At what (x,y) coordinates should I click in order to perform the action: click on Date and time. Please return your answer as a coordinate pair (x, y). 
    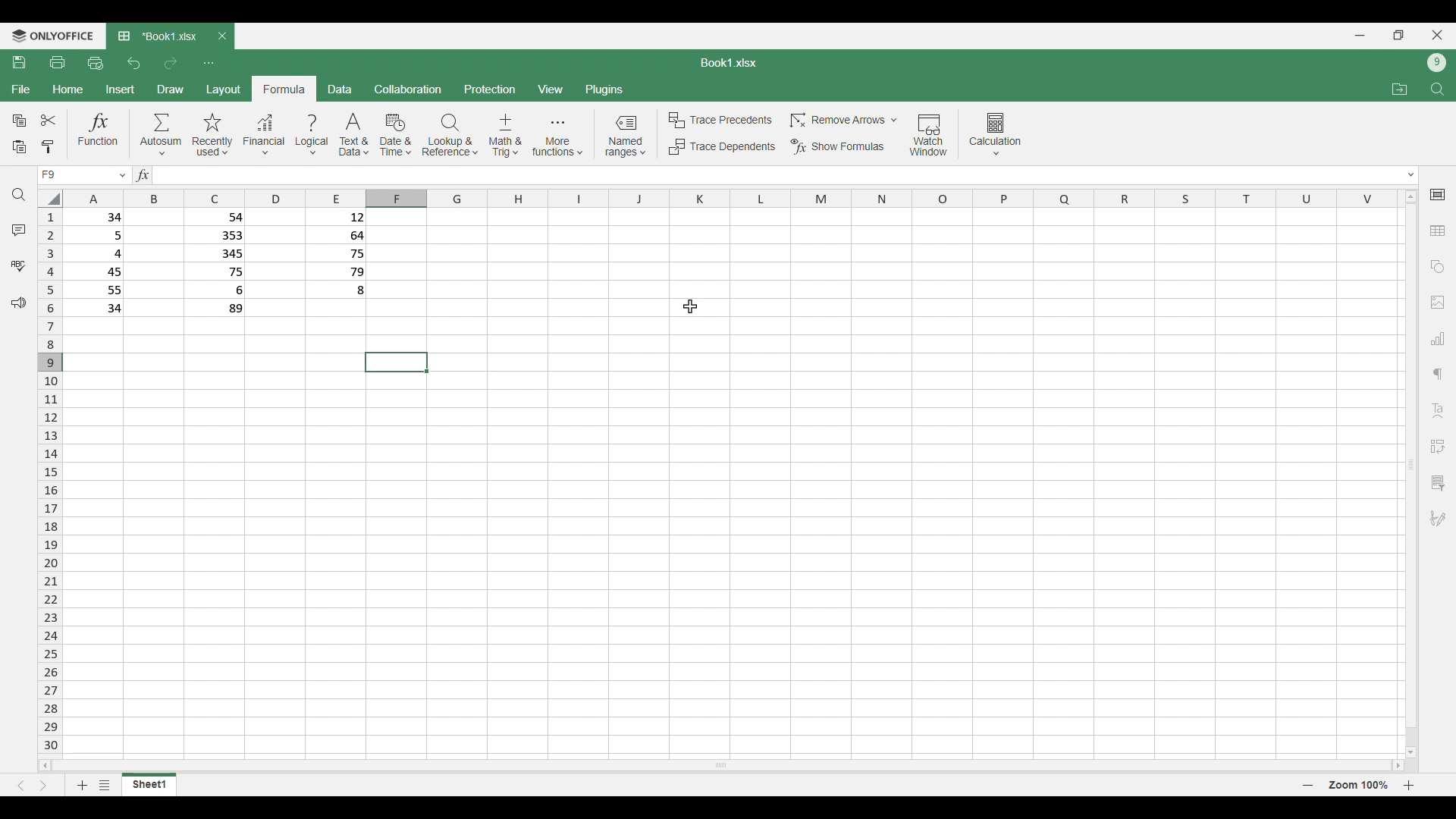
    Looking at the image, I should click on (395, 135).